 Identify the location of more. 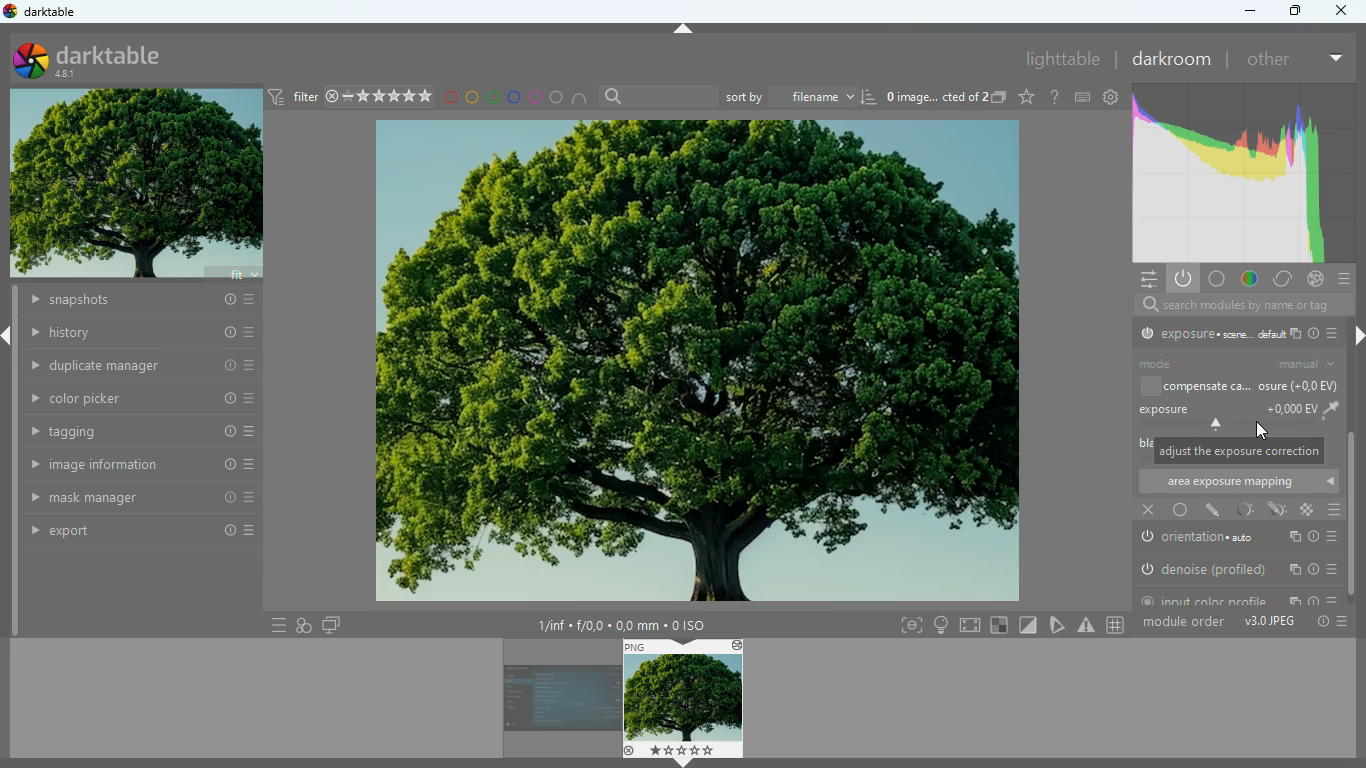
(1335, 59).